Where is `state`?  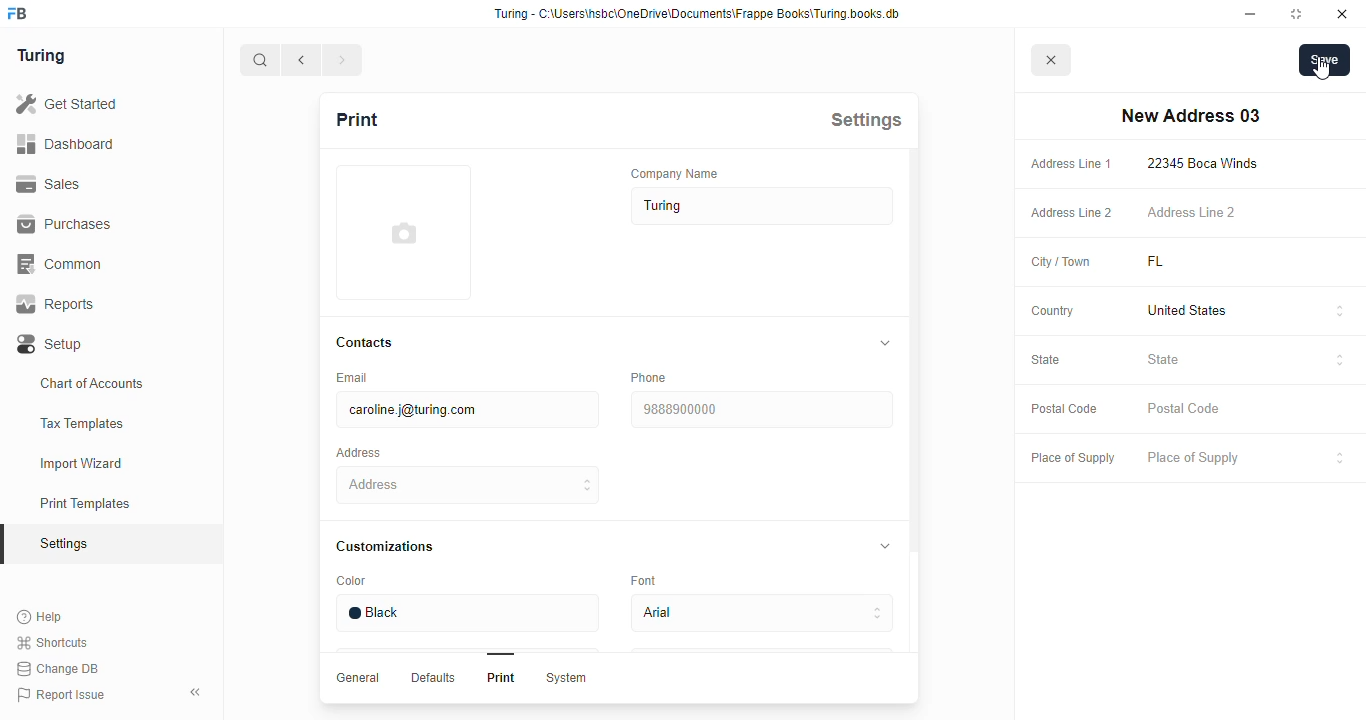
state is located at coordinates (1046, 359).